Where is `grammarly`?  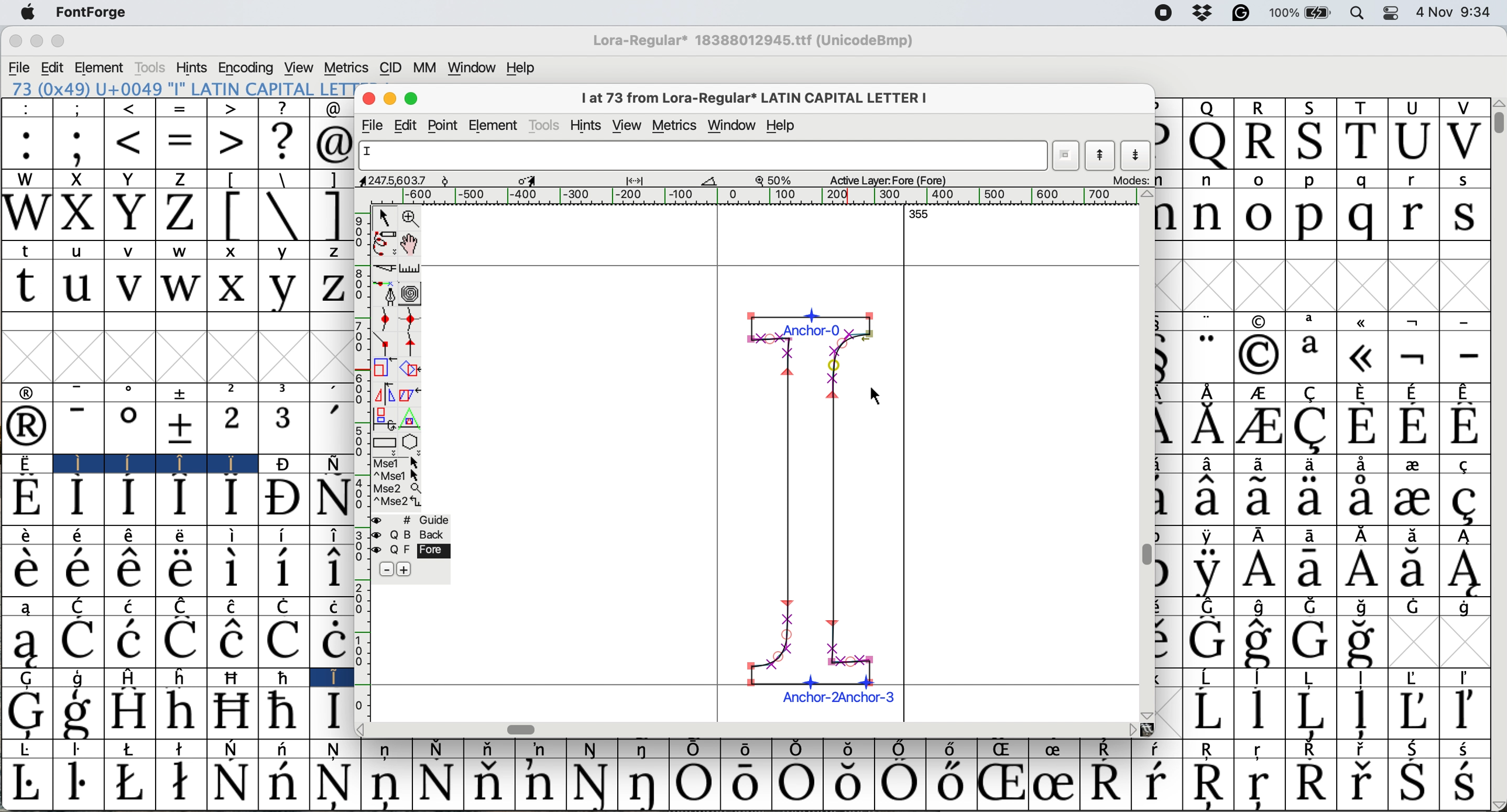
grammarly is located at coordinates (1246, 14).